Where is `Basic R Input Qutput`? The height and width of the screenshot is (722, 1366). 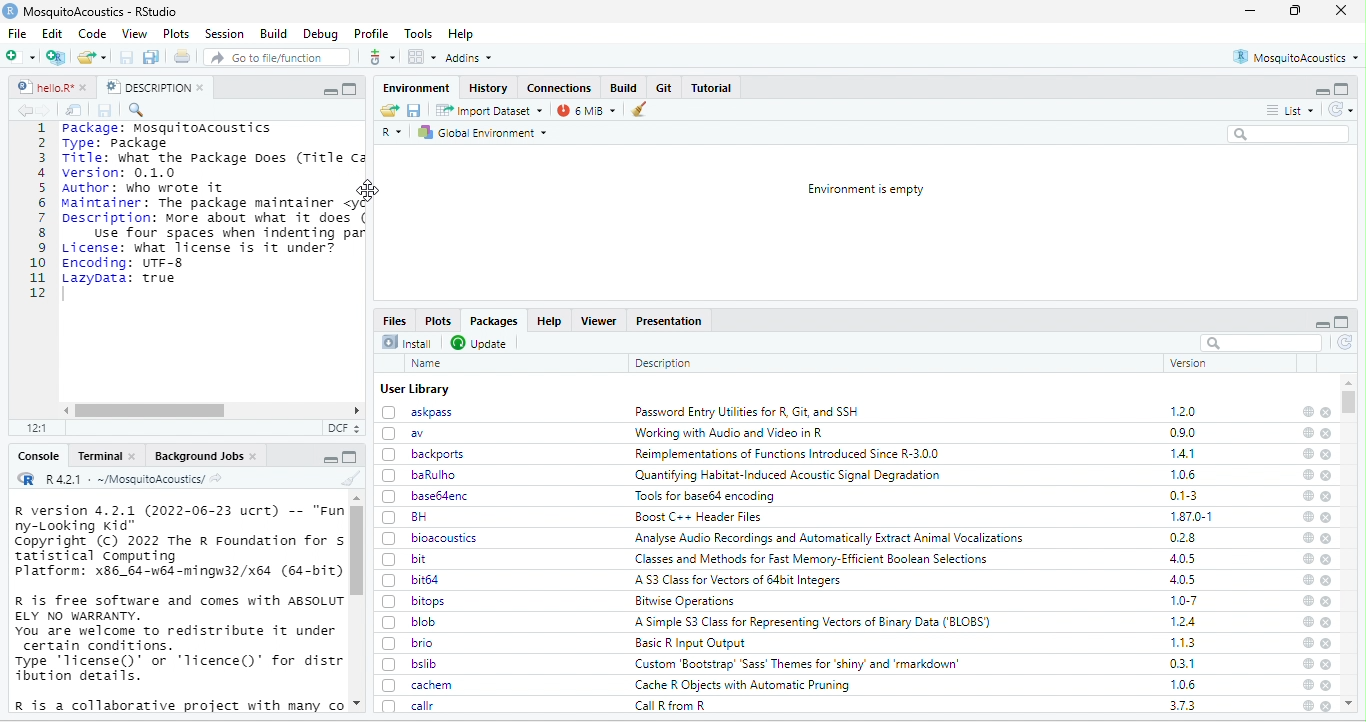 Basic R Input Qutput is located at coordinates (699, 643).